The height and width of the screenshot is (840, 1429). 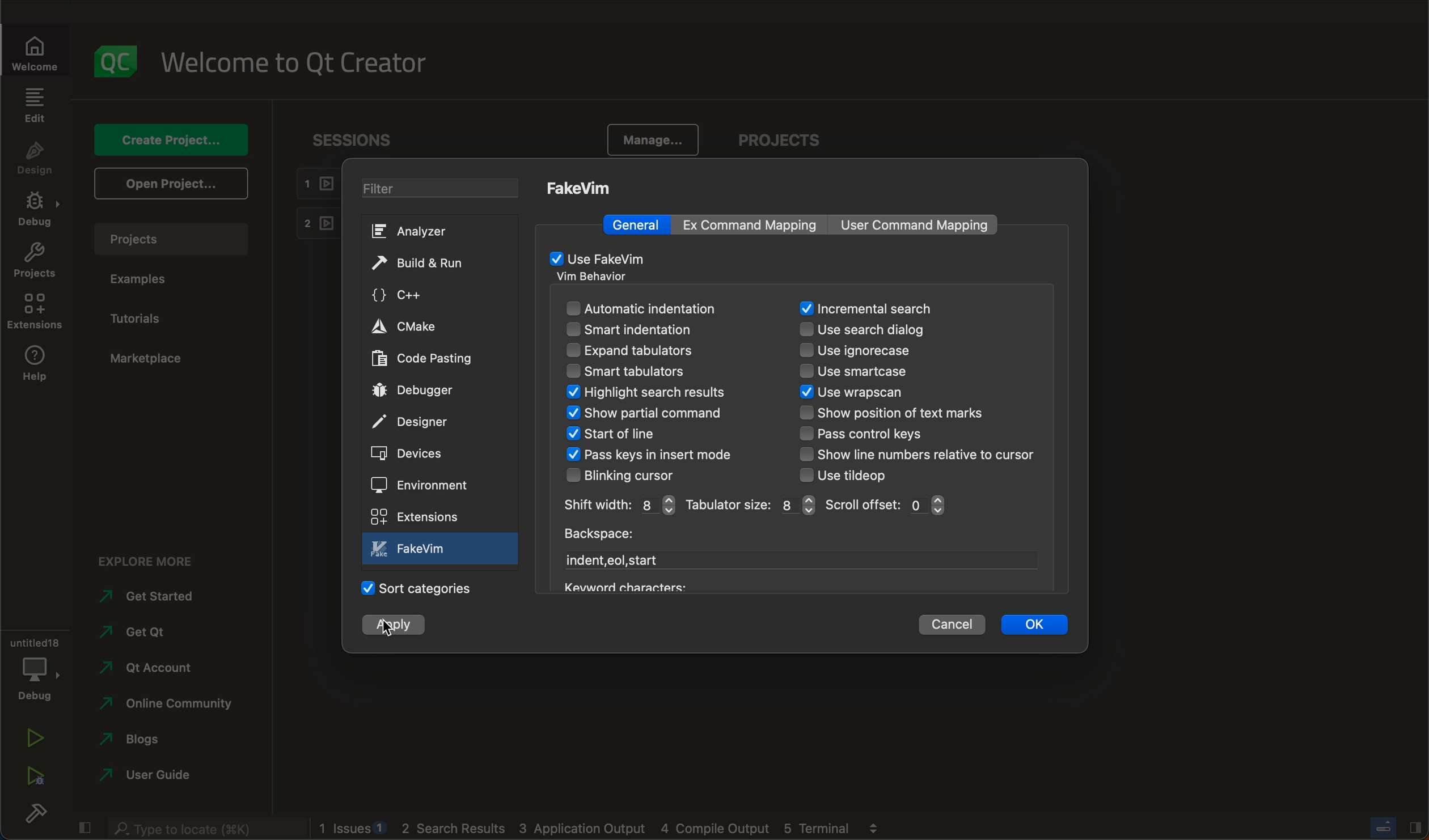 What do you see at coordinates (865, 373) in the screenshot?
I see `smartcase` at bounding box center [865, 373].